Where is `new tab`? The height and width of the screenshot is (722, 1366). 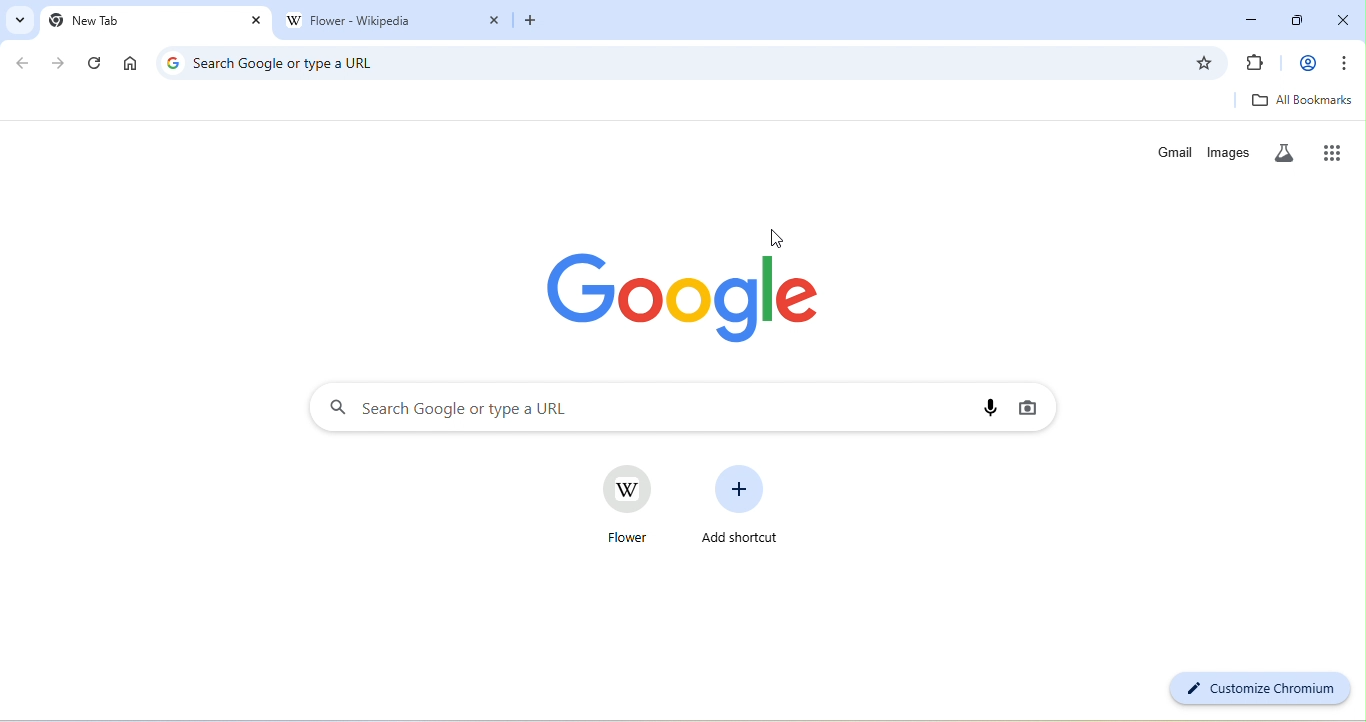
new tab is located at coordinates (144, 21).